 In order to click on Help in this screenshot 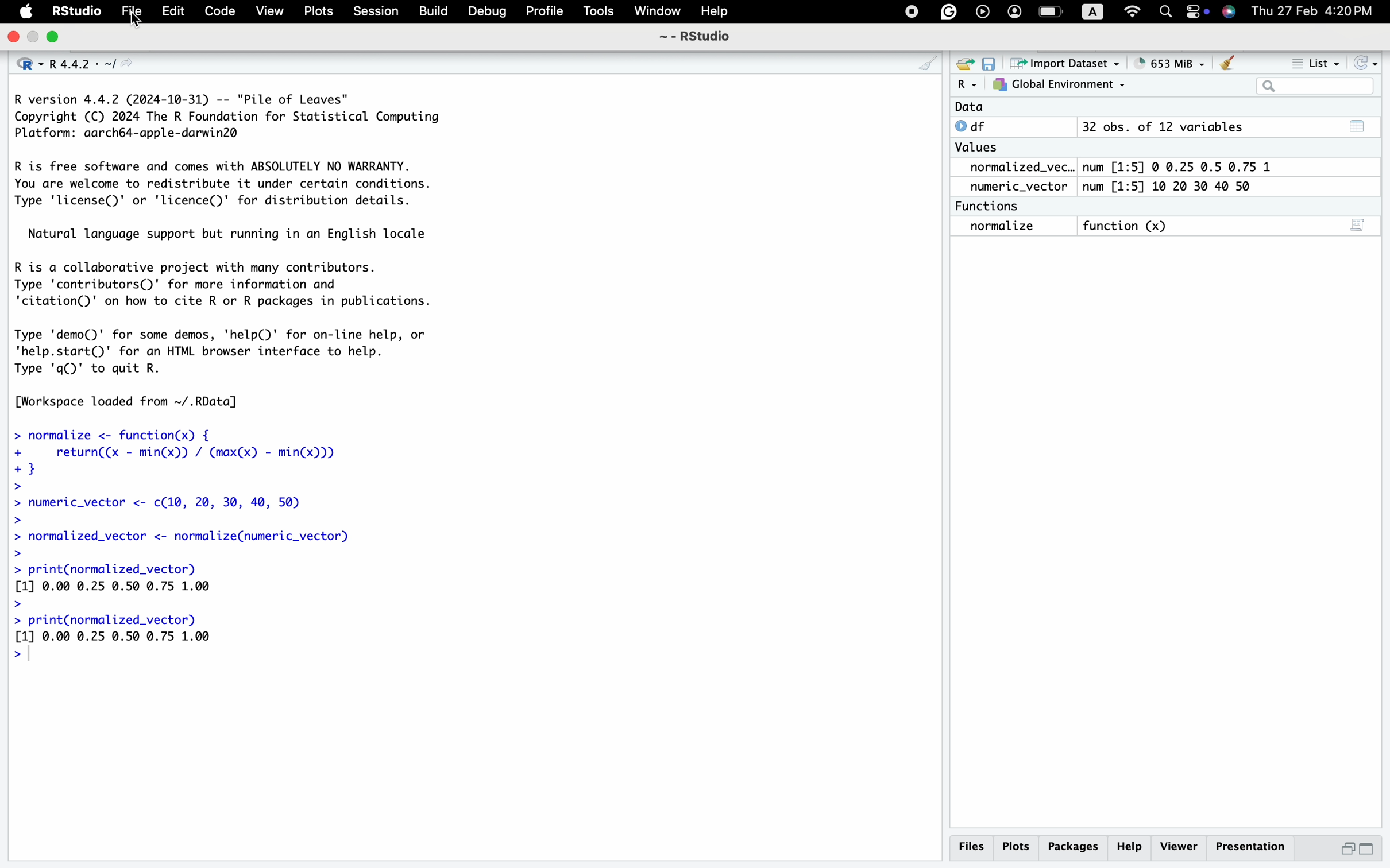, I will do `click(1132, 846)`.